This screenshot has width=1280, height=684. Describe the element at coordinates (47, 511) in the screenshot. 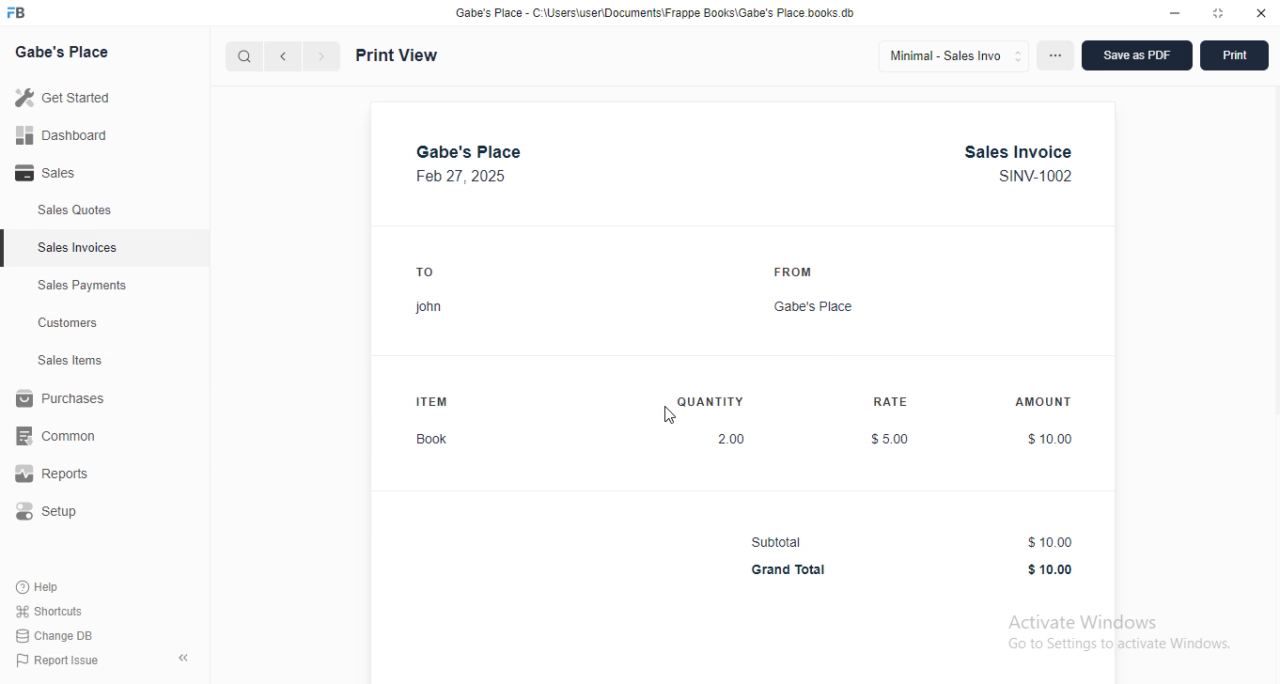

I see `setup` at that location.